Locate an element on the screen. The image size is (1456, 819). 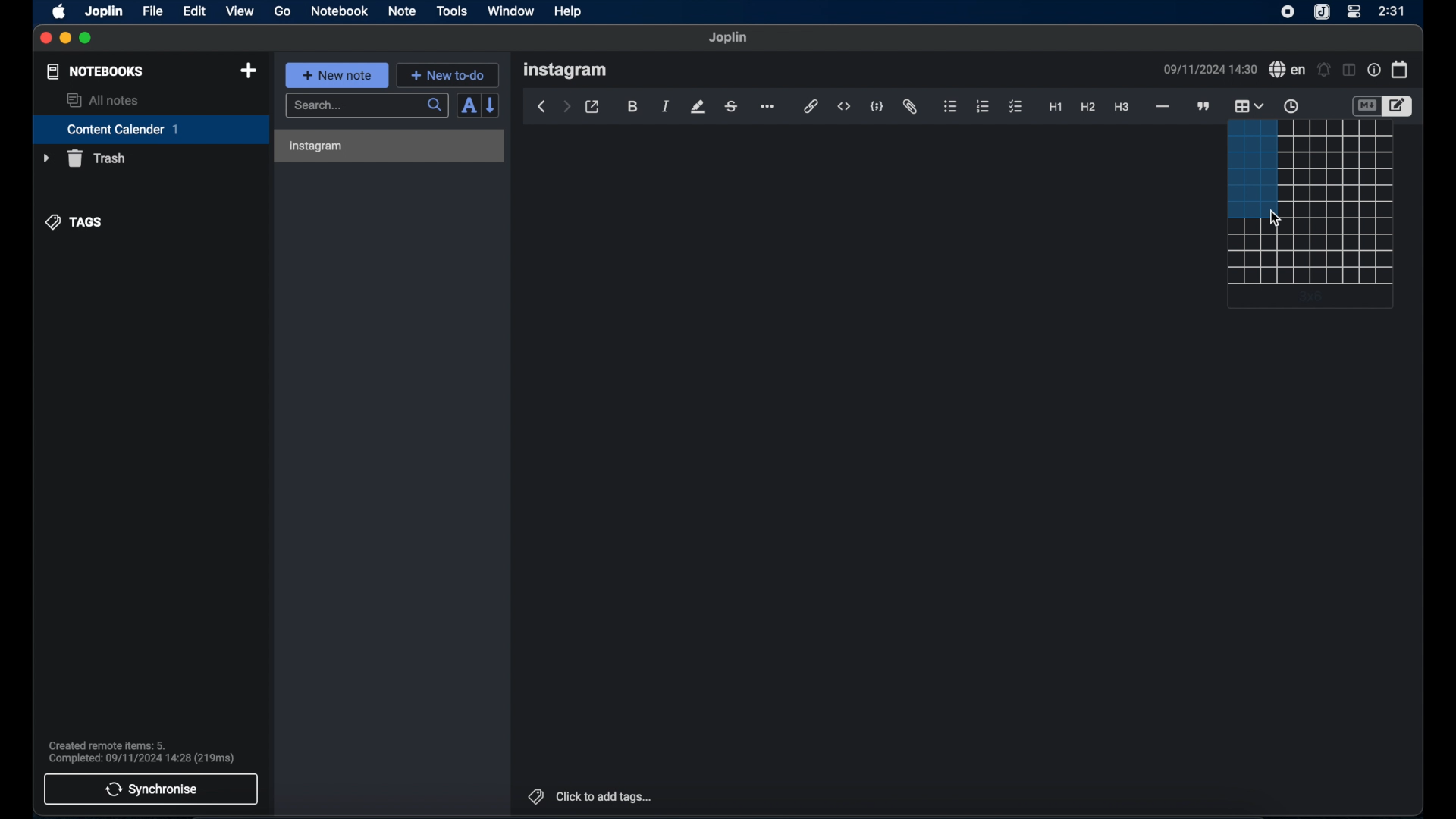
horizontal line is located at coordinates (1163, 108).